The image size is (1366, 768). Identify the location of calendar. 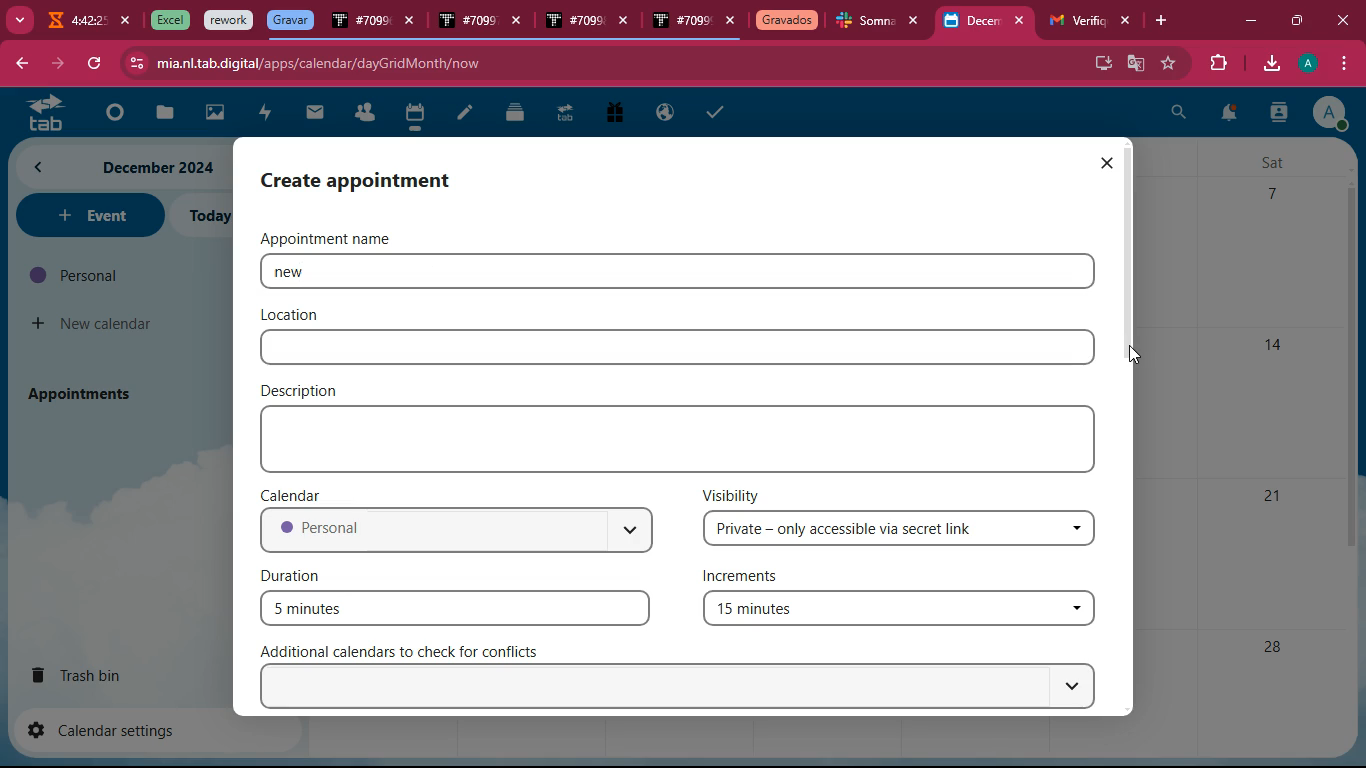
(414, 116).